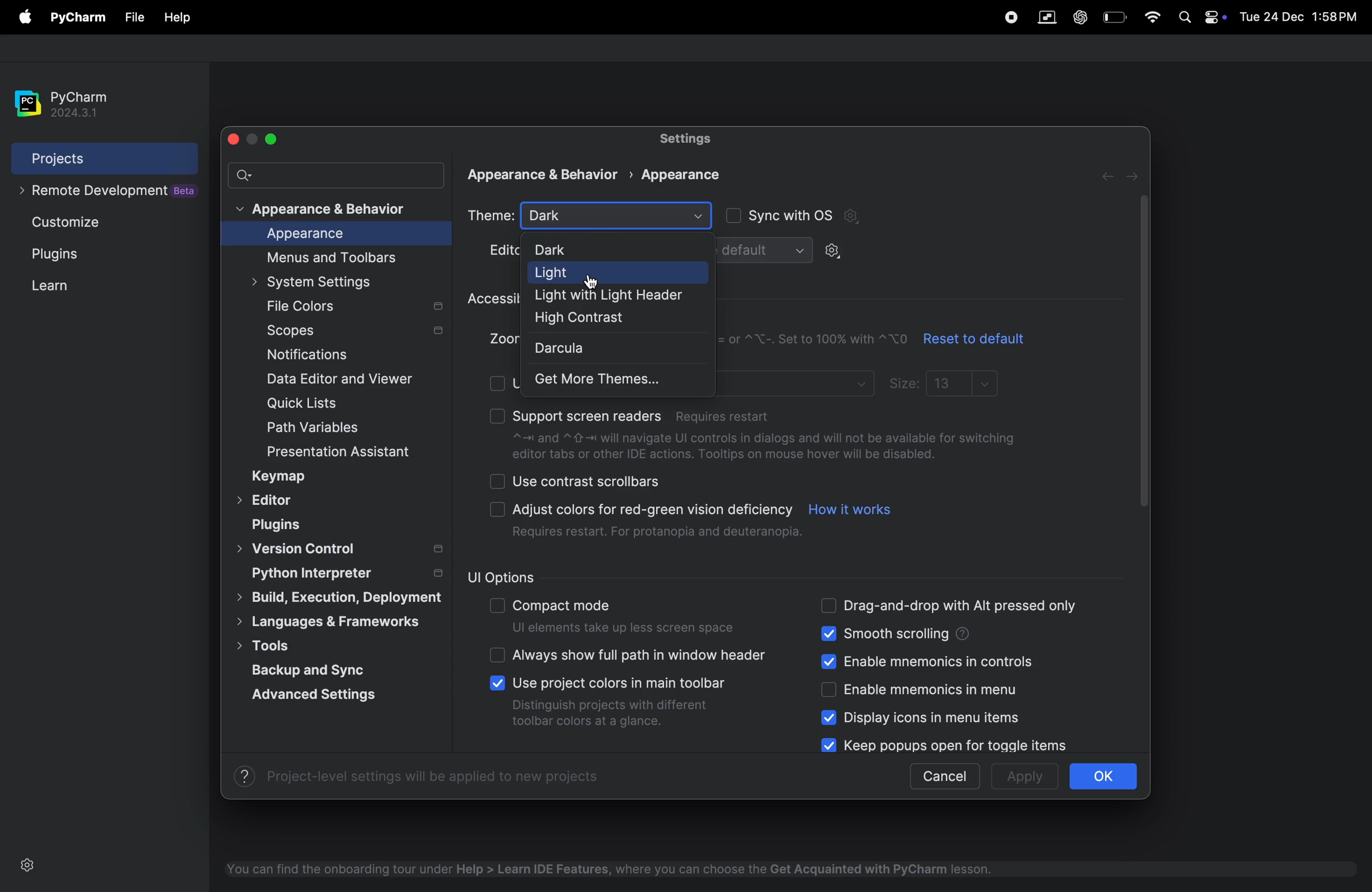  Describe the element at coordinates (504, 575) in the screenshot. I see `ui options` at that location.